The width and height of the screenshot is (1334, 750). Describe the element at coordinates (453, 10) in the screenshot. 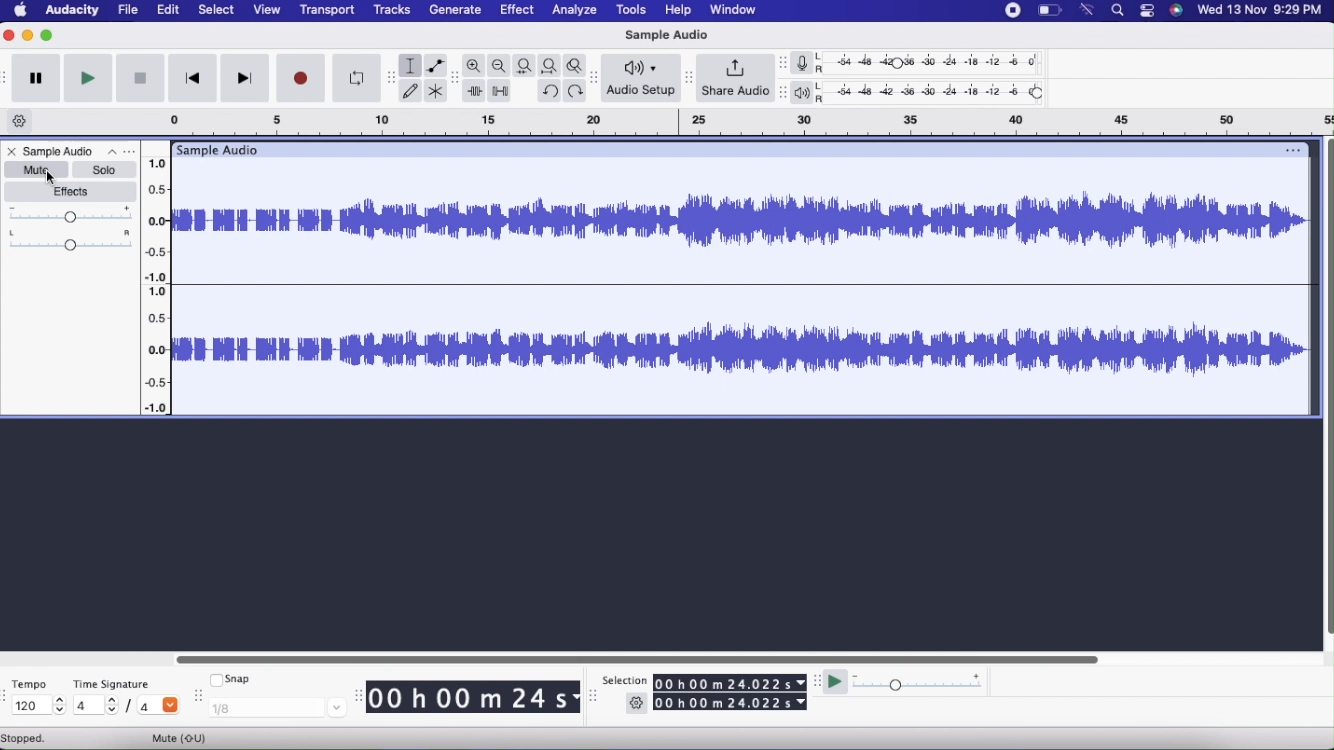

I see `Generate` at that location.